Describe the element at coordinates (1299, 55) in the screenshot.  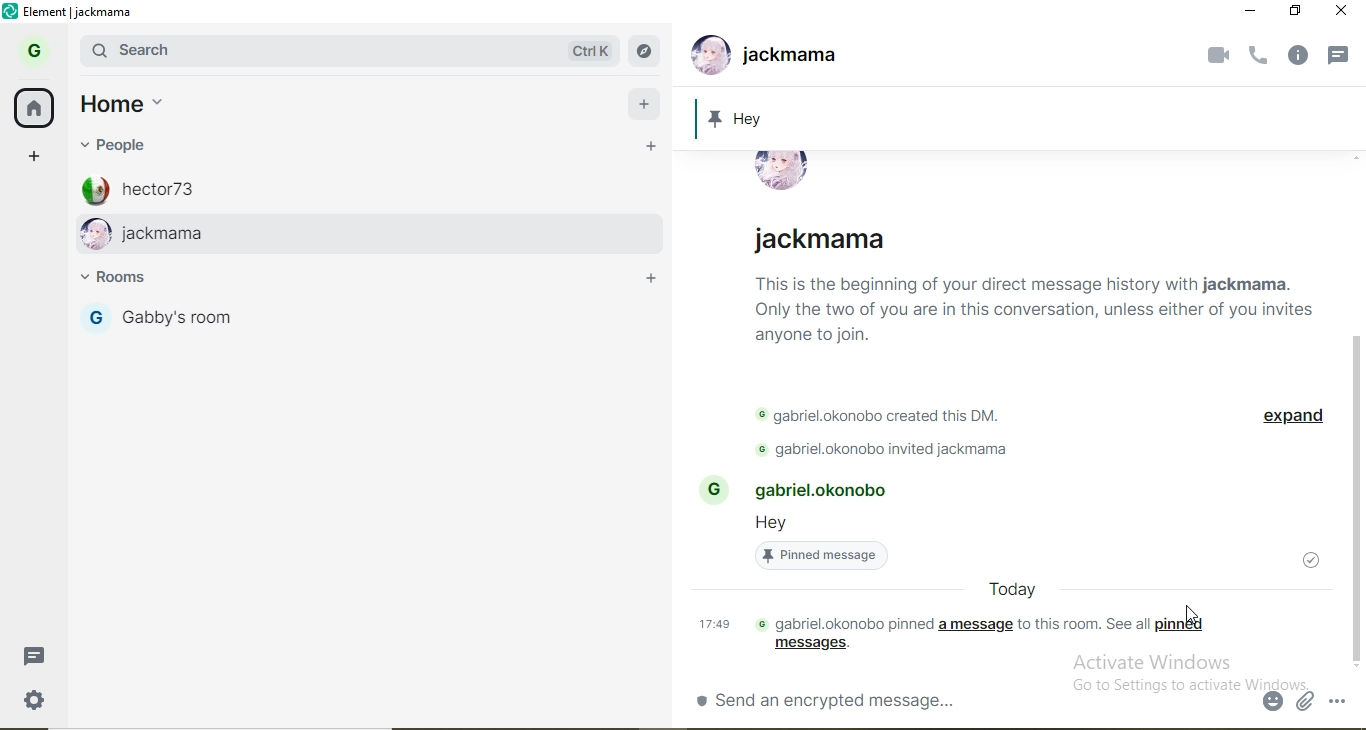
I see `` at that location.